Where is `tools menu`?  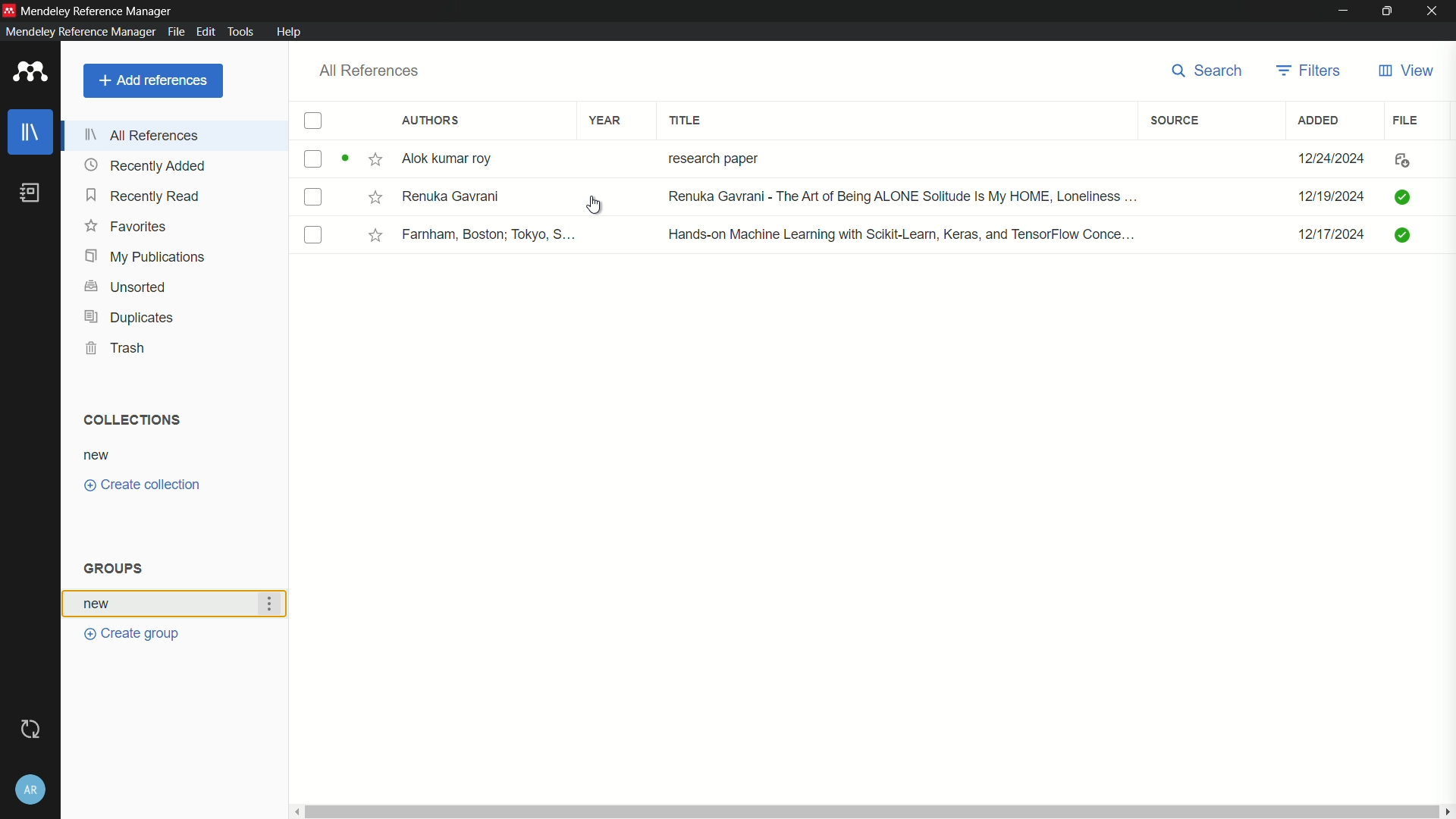
tools menu is located at coordinates (240, 31).